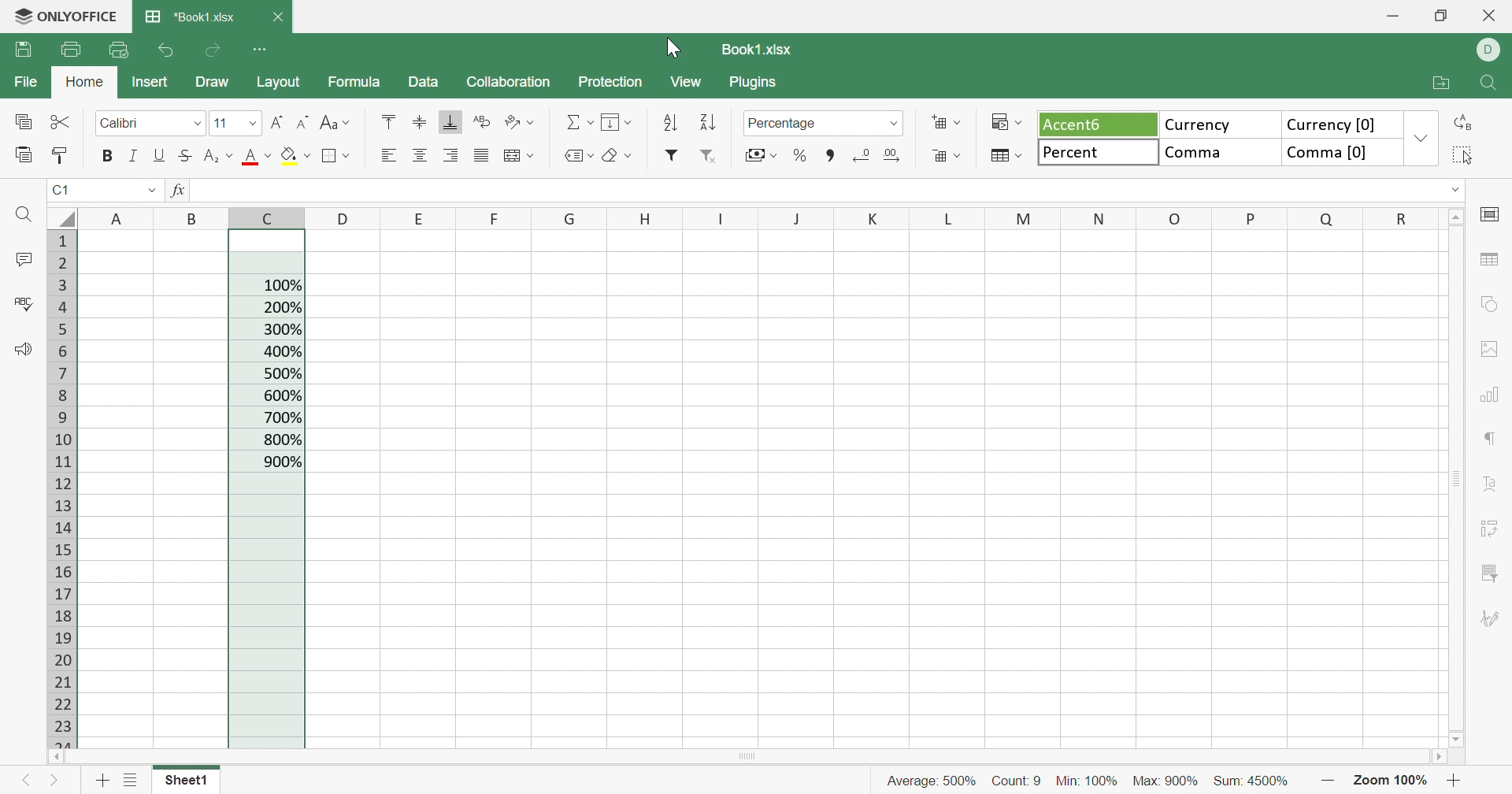 The width and height of the screenshot is (1512, 794). What do you see at coordinates (280, 394) in the screenshot?
I see `600%` at bounding box center [280, 394].